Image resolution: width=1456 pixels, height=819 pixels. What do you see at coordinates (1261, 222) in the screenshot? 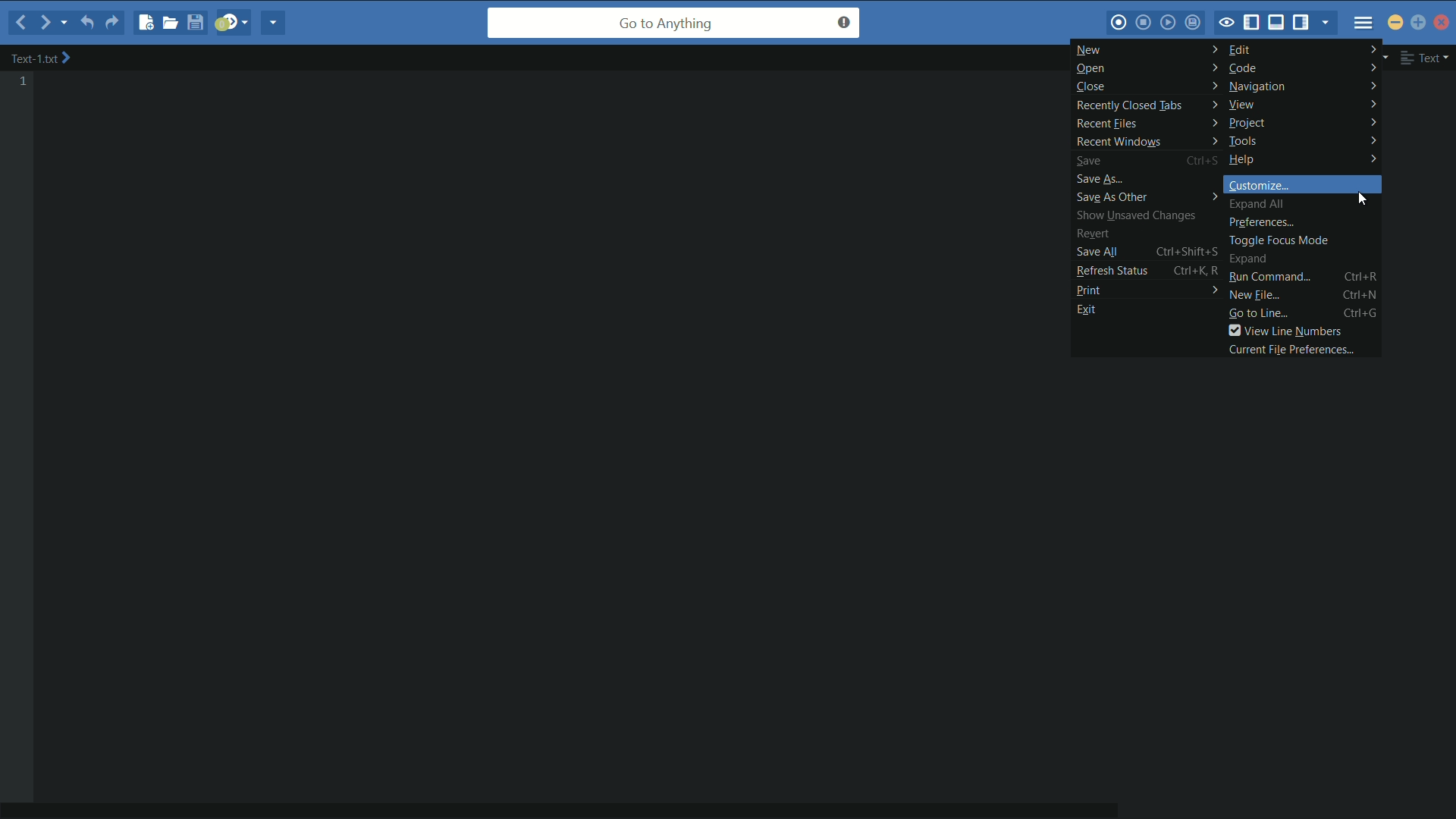
I see `preferences` at bounding box center [1261, 222].